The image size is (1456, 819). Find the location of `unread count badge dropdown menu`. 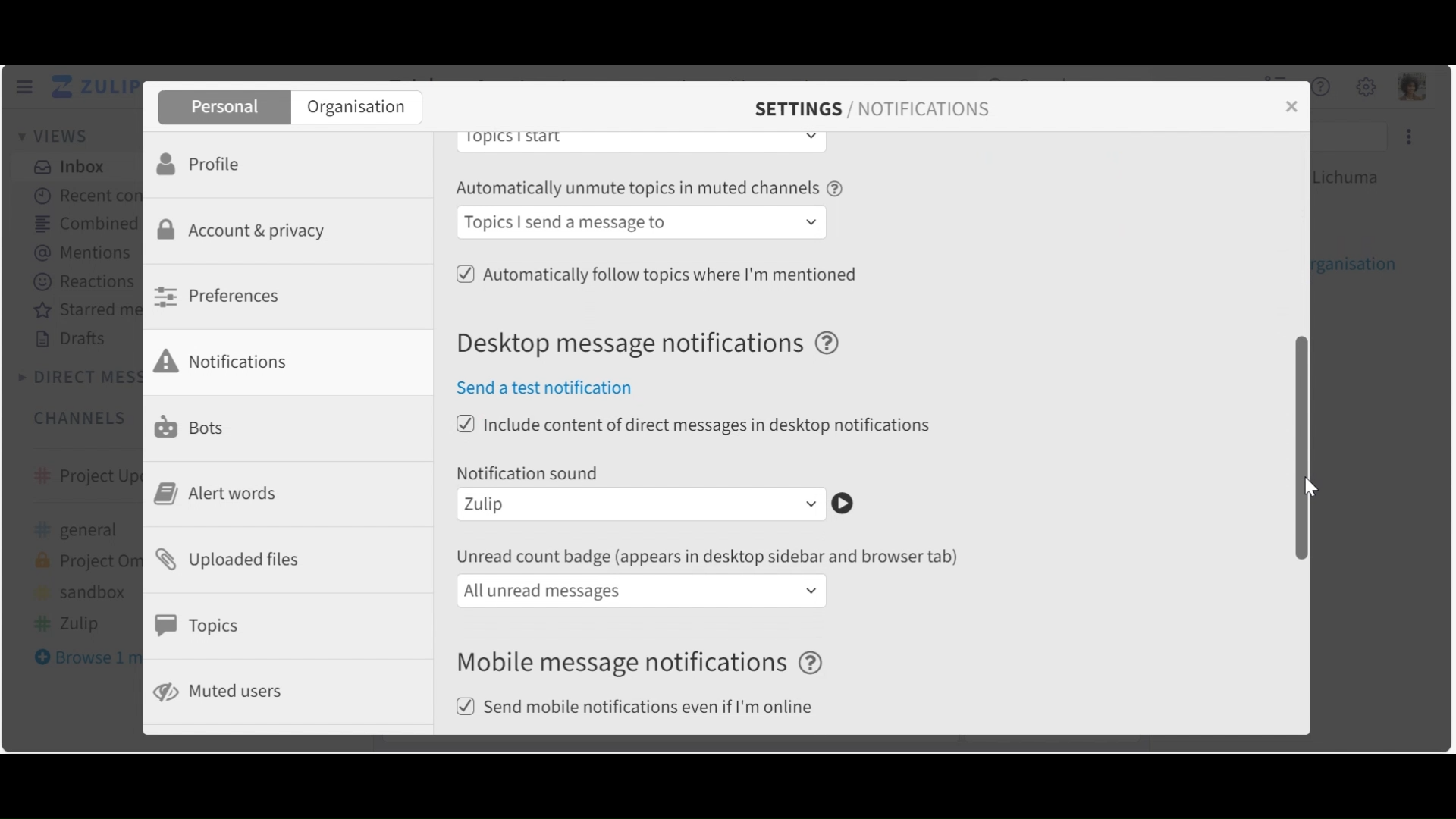

unread count badge dropdown menu is located at coordinates (642, 591).